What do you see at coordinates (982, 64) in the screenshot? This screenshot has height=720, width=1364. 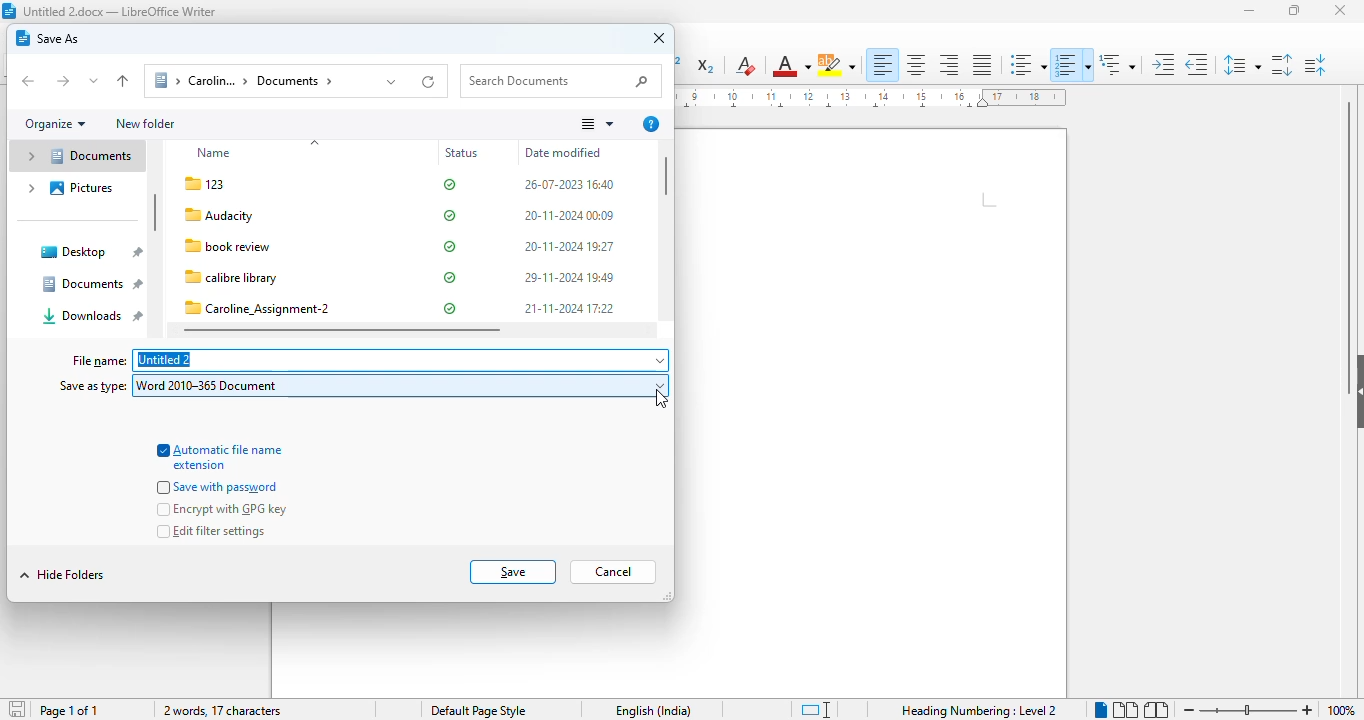 I see `justified` at bounding box center [982, 64].